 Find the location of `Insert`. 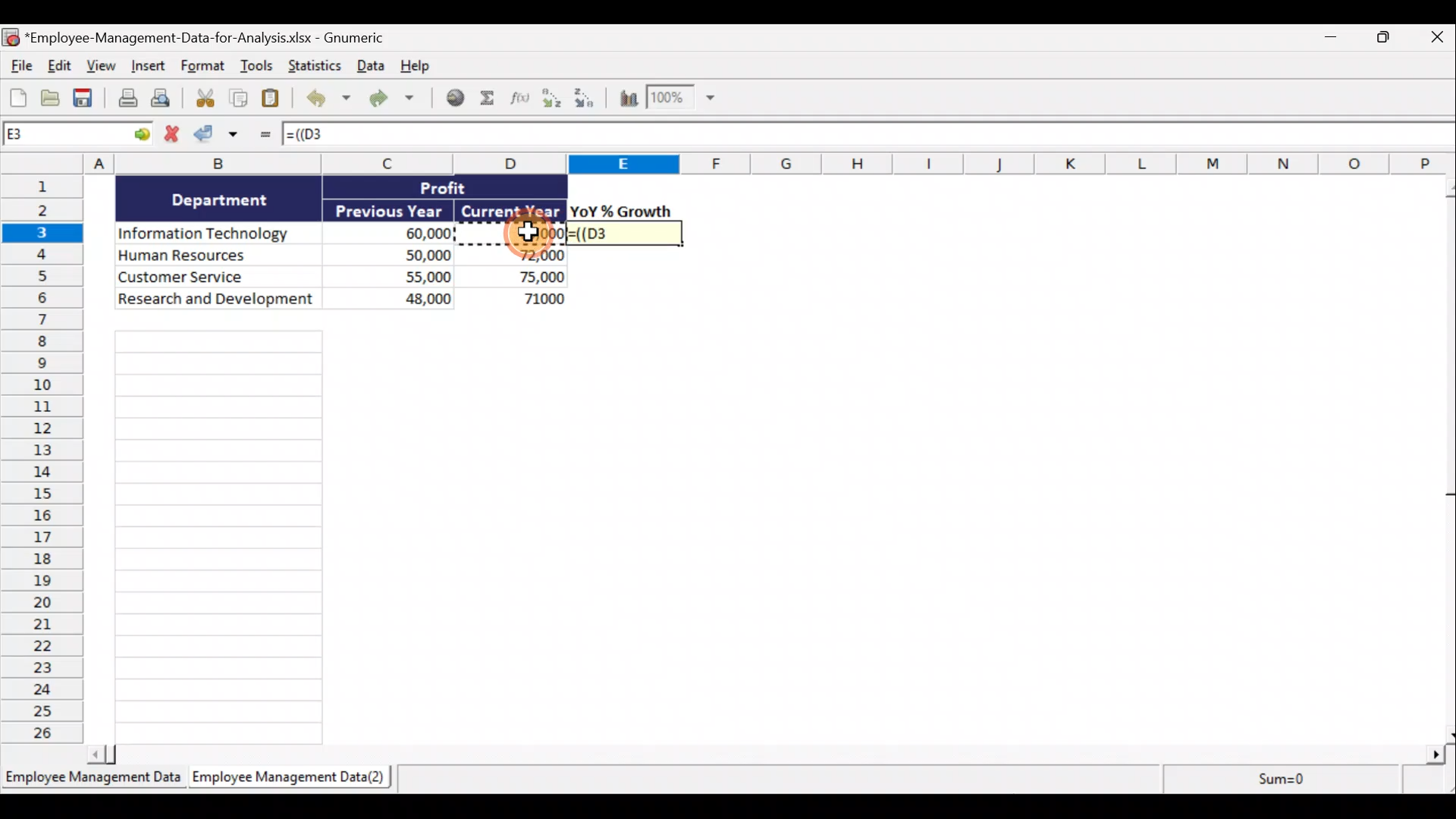

Insert is located at coordinates (146, 67).